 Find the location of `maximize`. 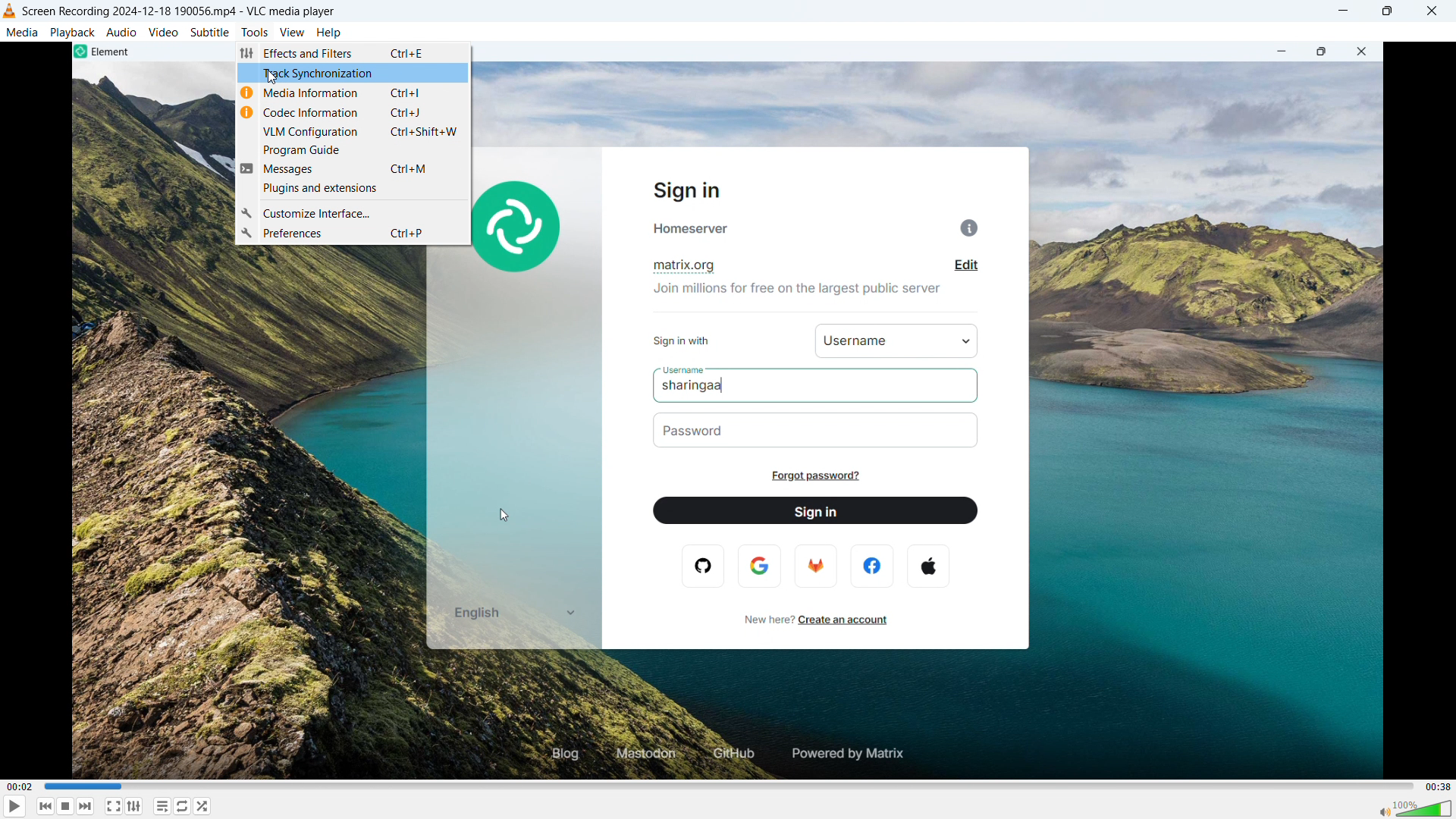

maximize is located at coordinates (1388, 11).